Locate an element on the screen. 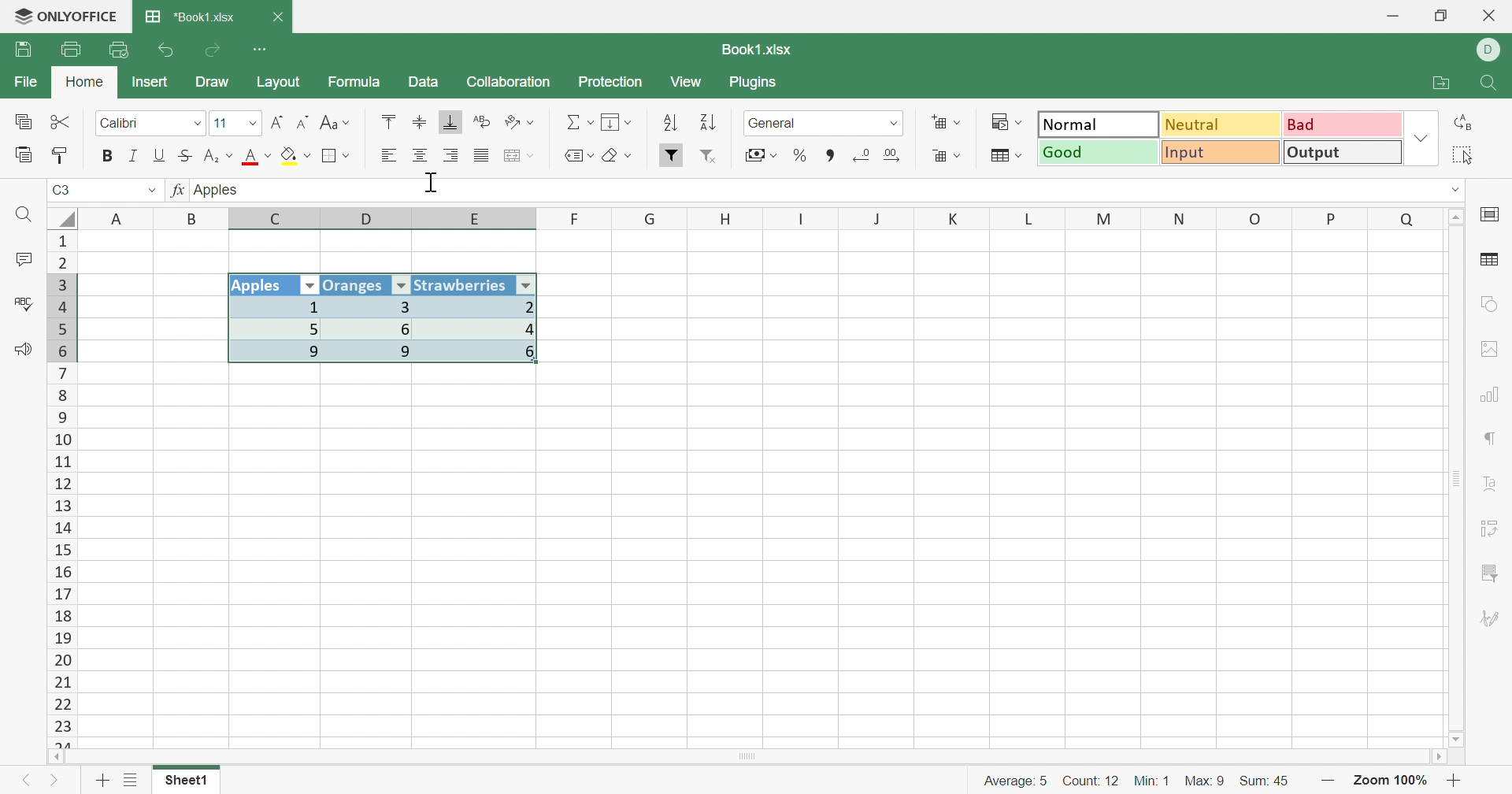 Image resolution: width=1512 pixels, height=794 pixels. Lyout is located at coordinates (278, 83).